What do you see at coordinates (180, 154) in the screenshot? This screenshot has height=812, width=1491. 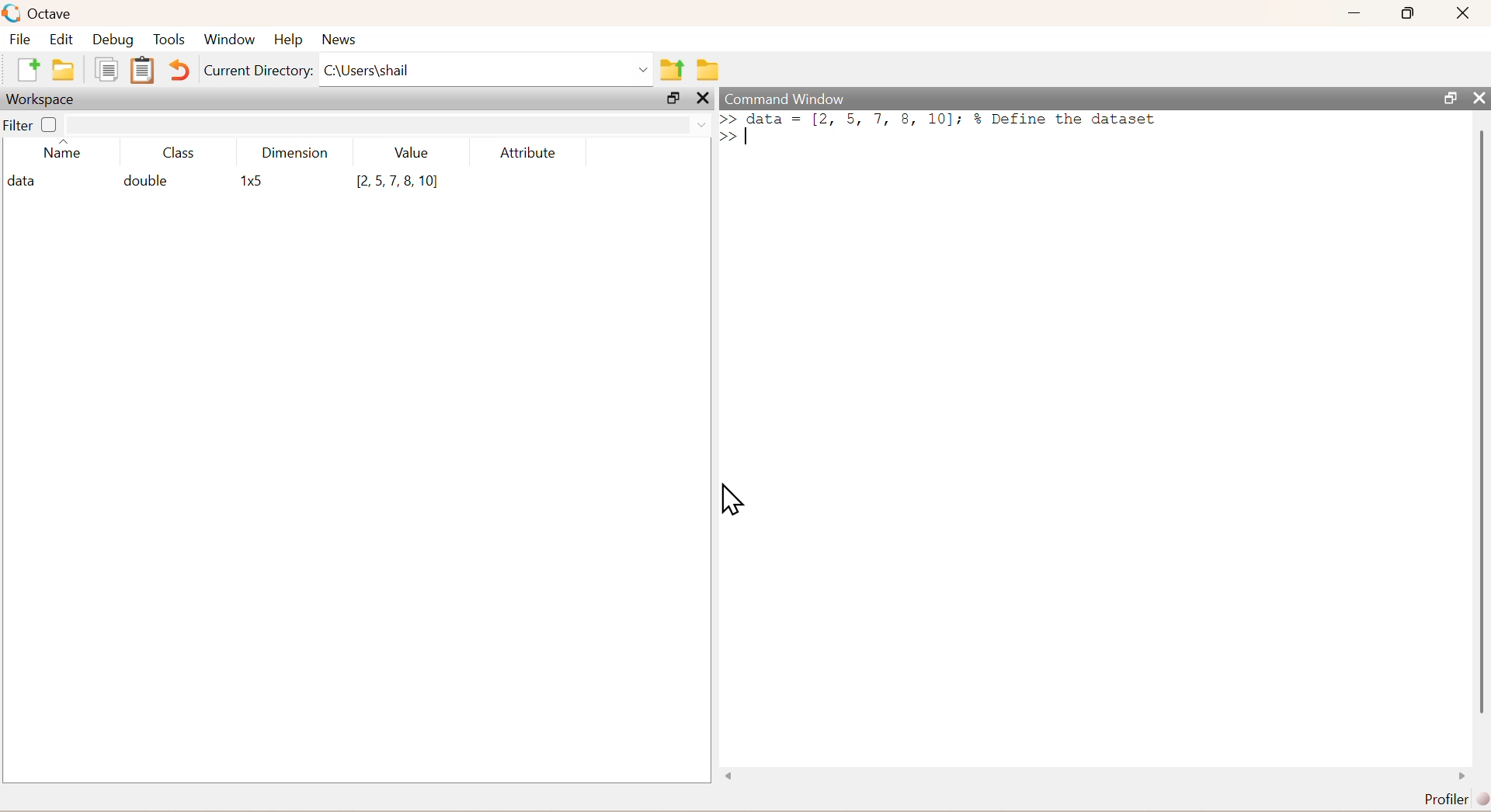 I see `class` at bounding box center [180, 154].